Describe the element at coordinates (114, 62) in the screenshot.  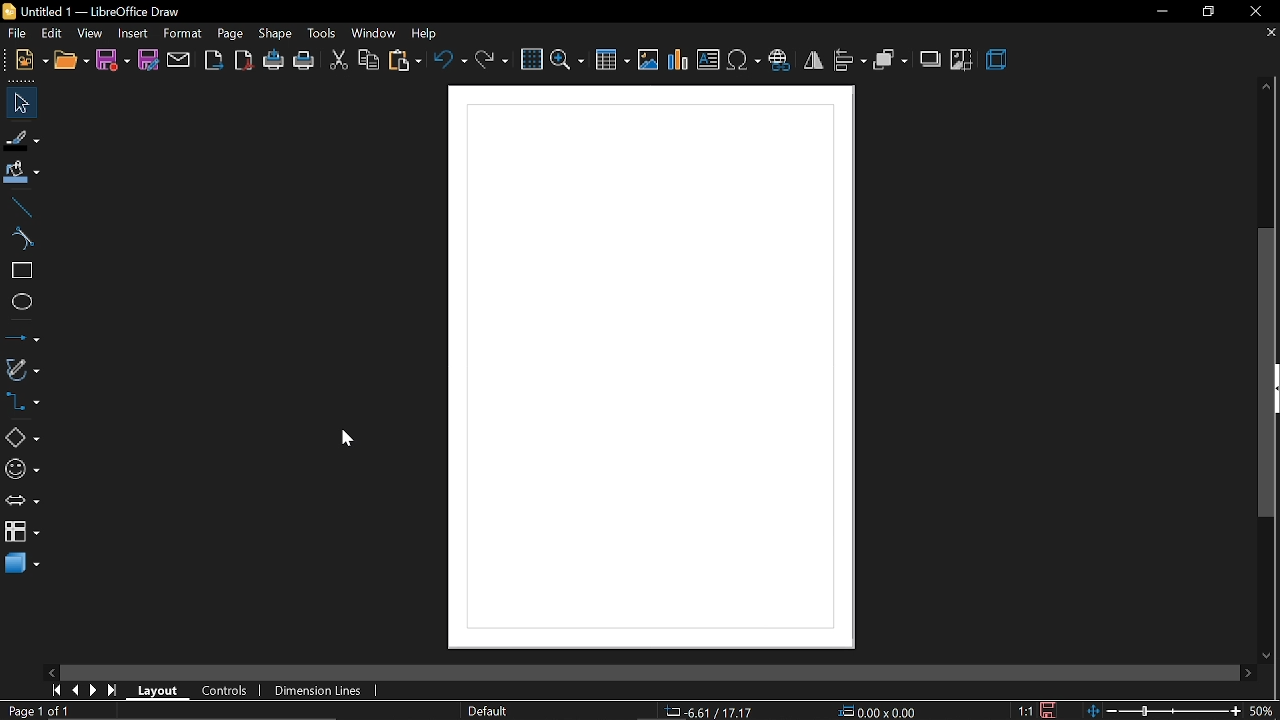
I see `save` at that location.